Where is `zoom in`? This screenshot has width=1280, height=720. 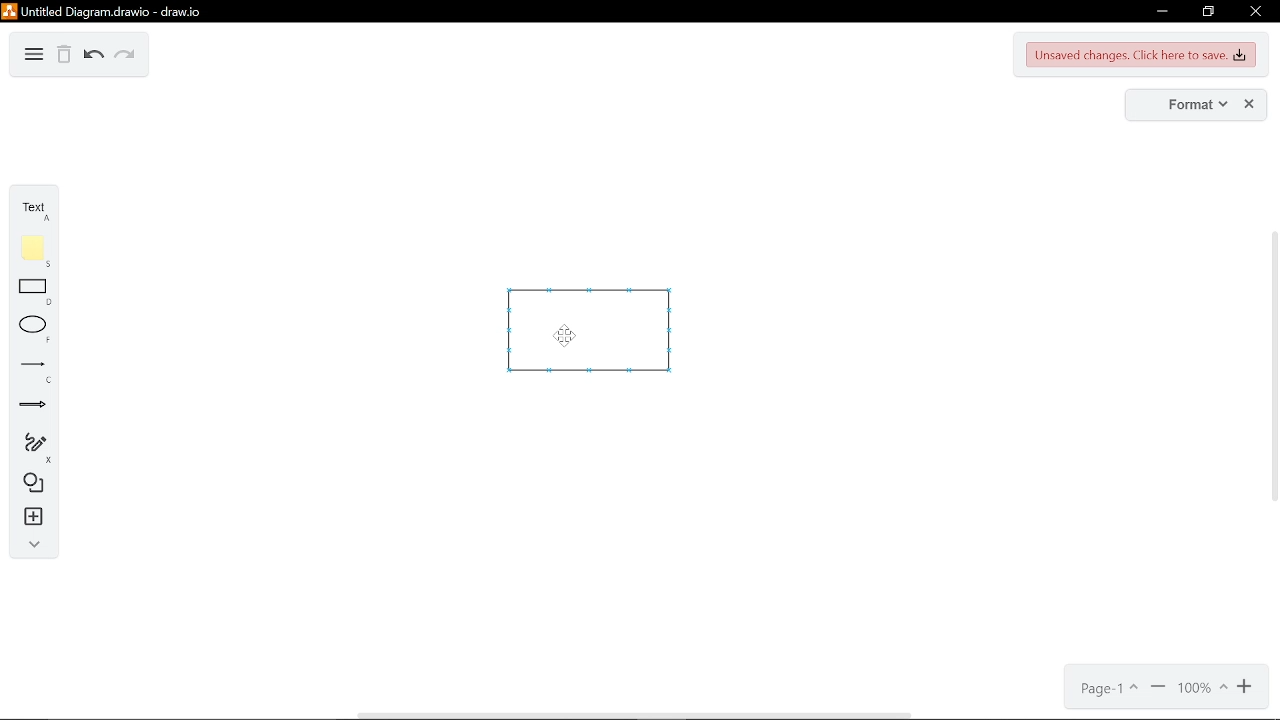 zoom in is located at coordinates (1247, 687).